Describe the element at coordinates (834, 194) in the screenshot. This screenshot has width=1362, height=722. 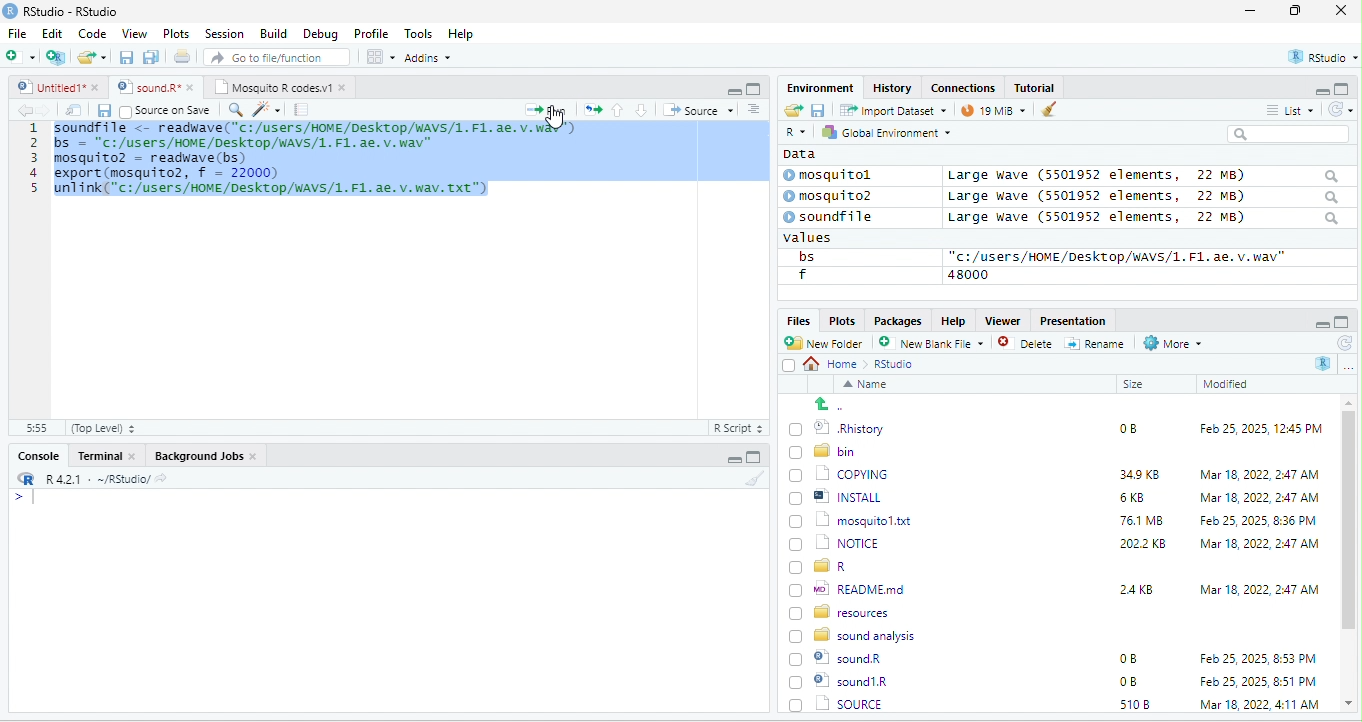
I see `© mosquito?` at that location.